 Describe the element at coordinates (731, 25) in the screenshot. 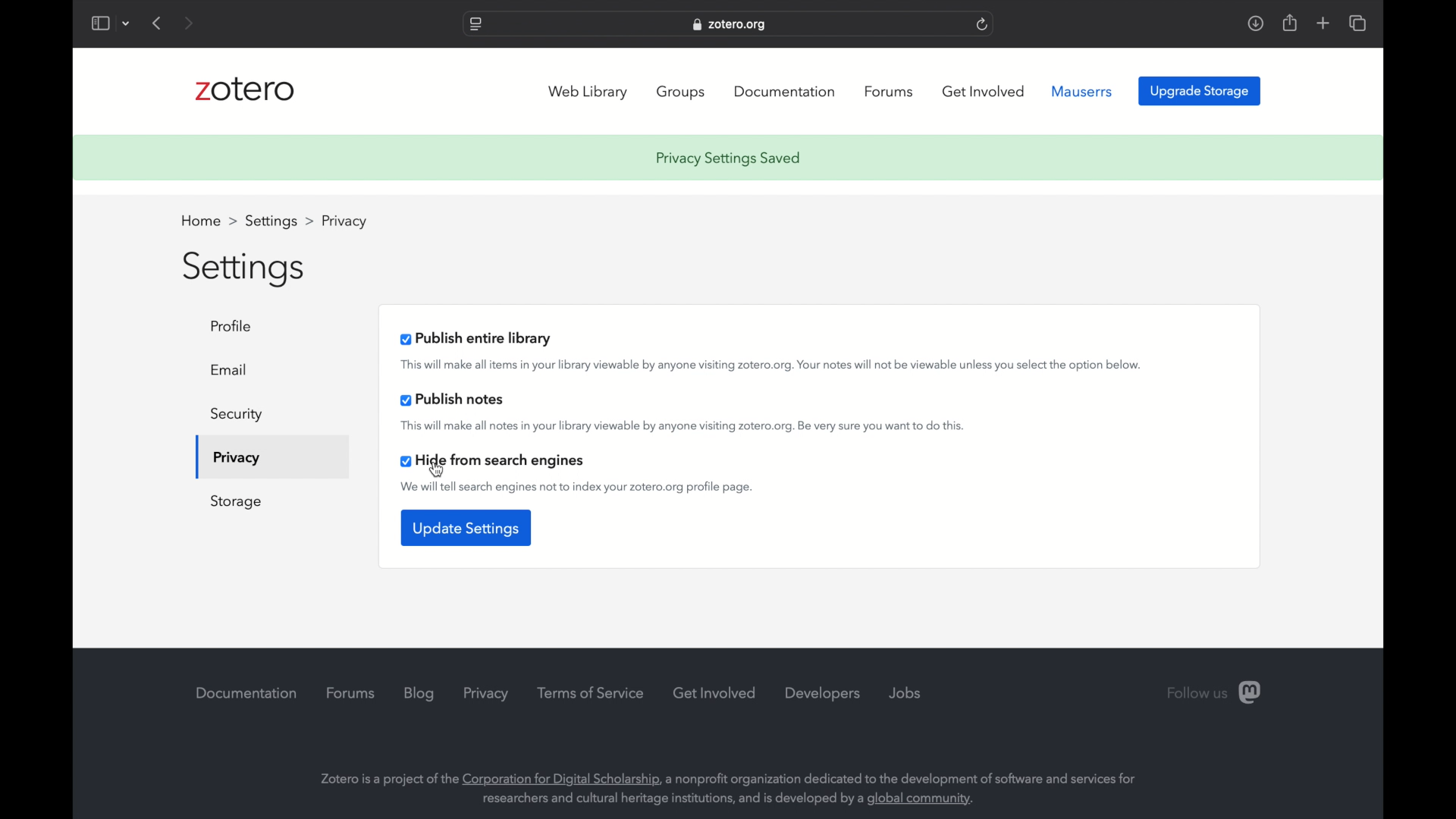

I see `zotero.org` at that location.